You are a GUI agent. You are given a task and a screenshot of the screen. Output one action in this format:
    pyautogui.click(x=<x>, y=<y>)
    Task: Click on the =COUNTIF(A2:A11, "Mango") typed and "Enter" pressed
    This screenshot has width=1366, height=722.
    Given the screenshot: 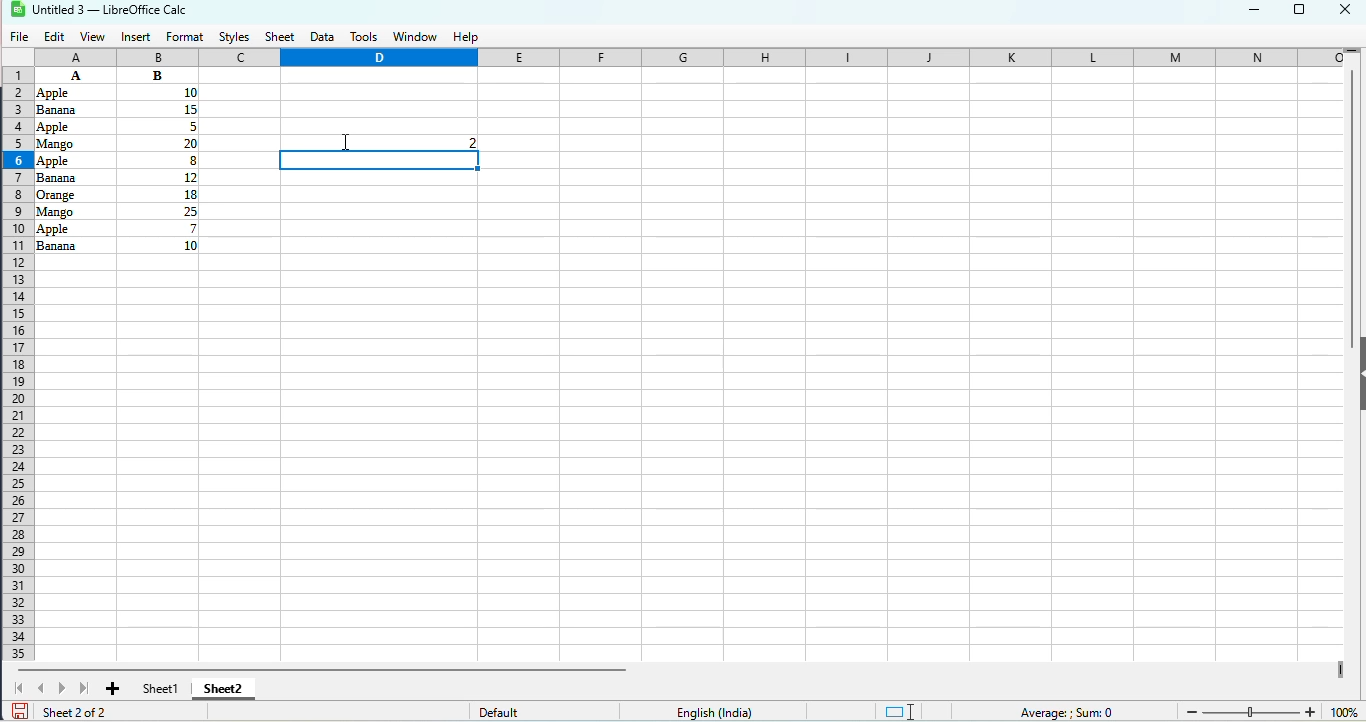 What is the action you would take?
    pyautogui.click(x=370, y=142)
    